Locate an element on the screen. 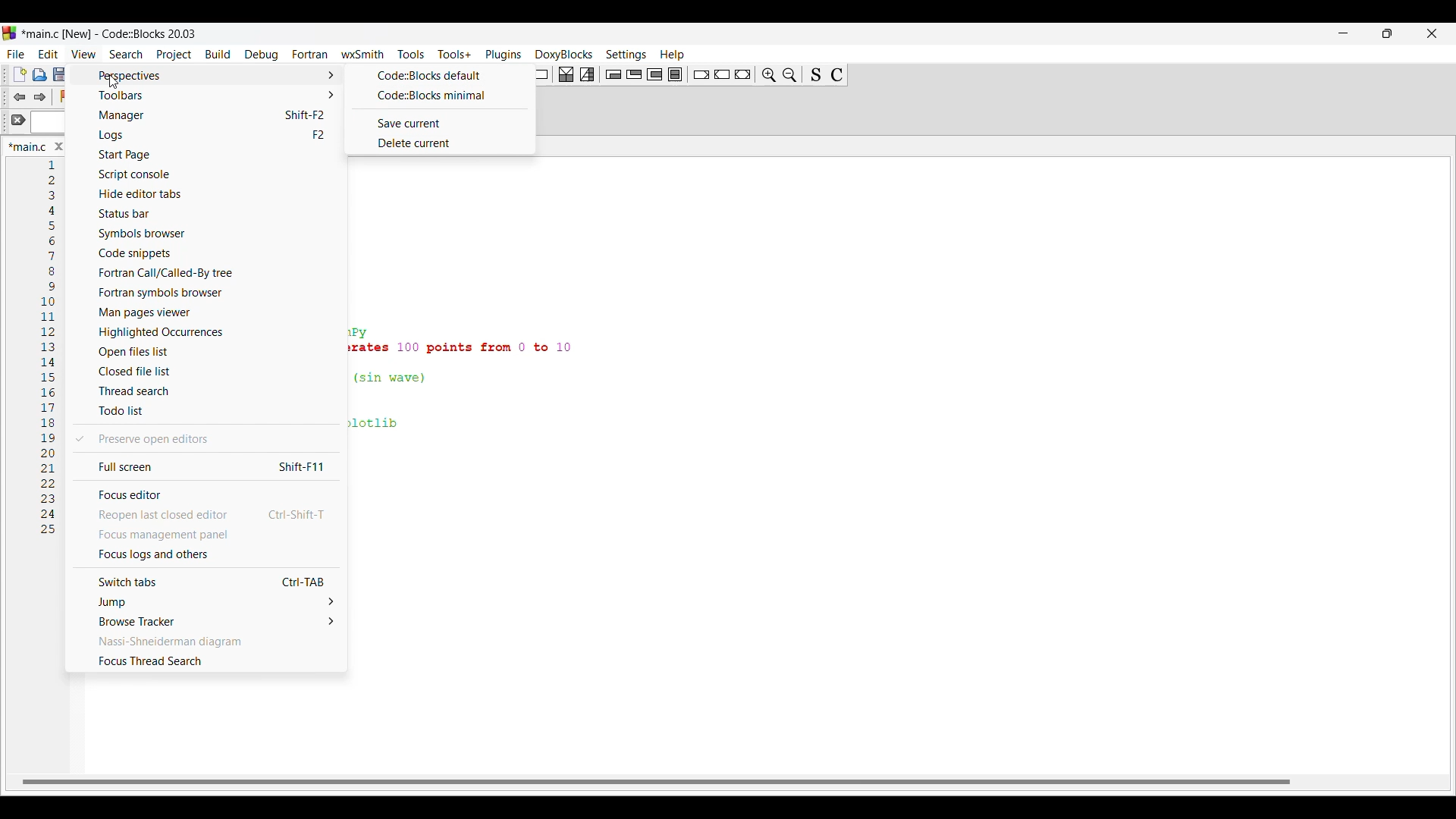 The height and width of the screenshot is (819, 1456). Toolbar options is located at coordinates (210, 96).